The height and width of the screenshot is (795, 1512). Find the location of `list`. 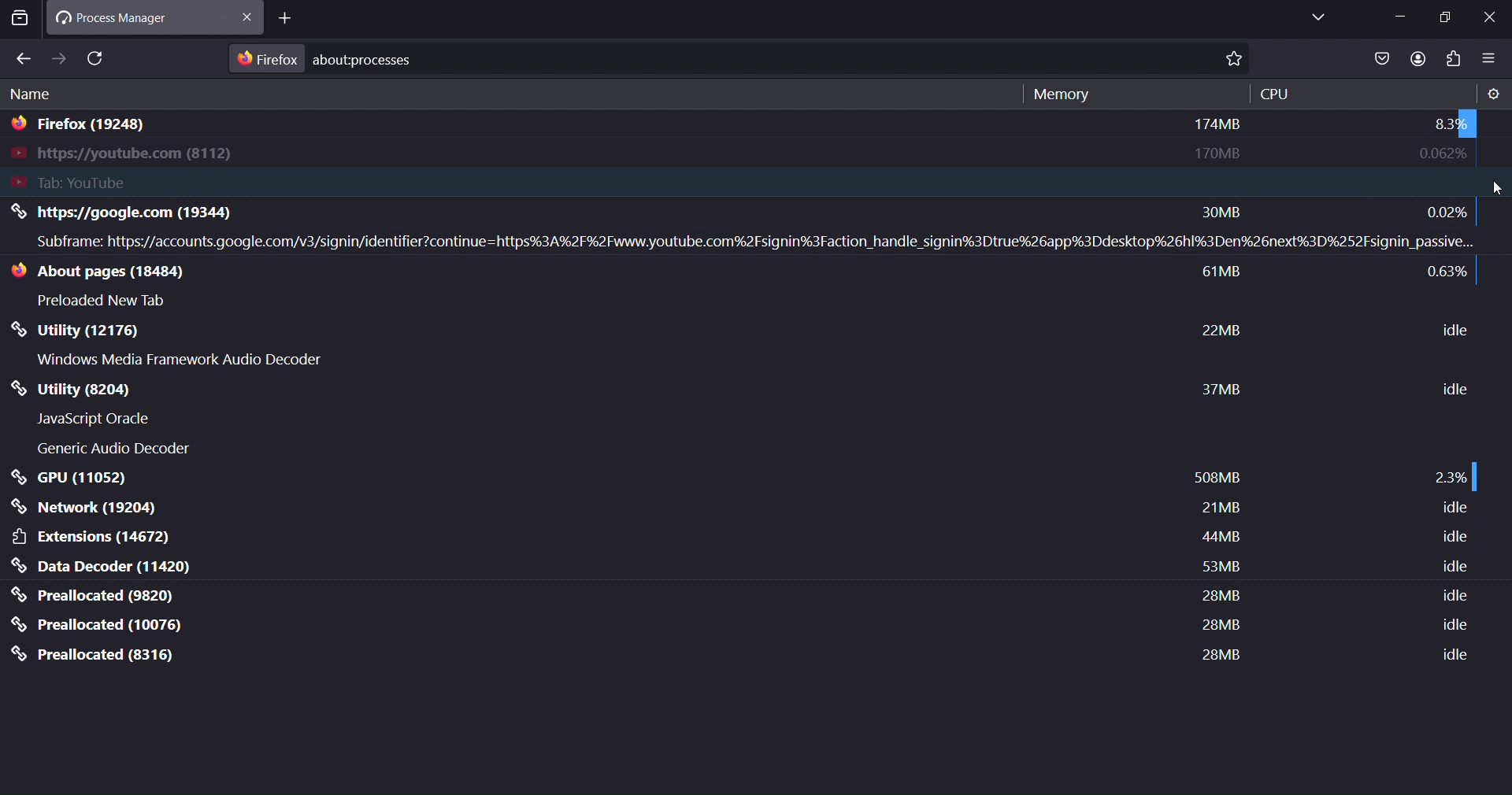

list is located at coordinates (1380, 60).